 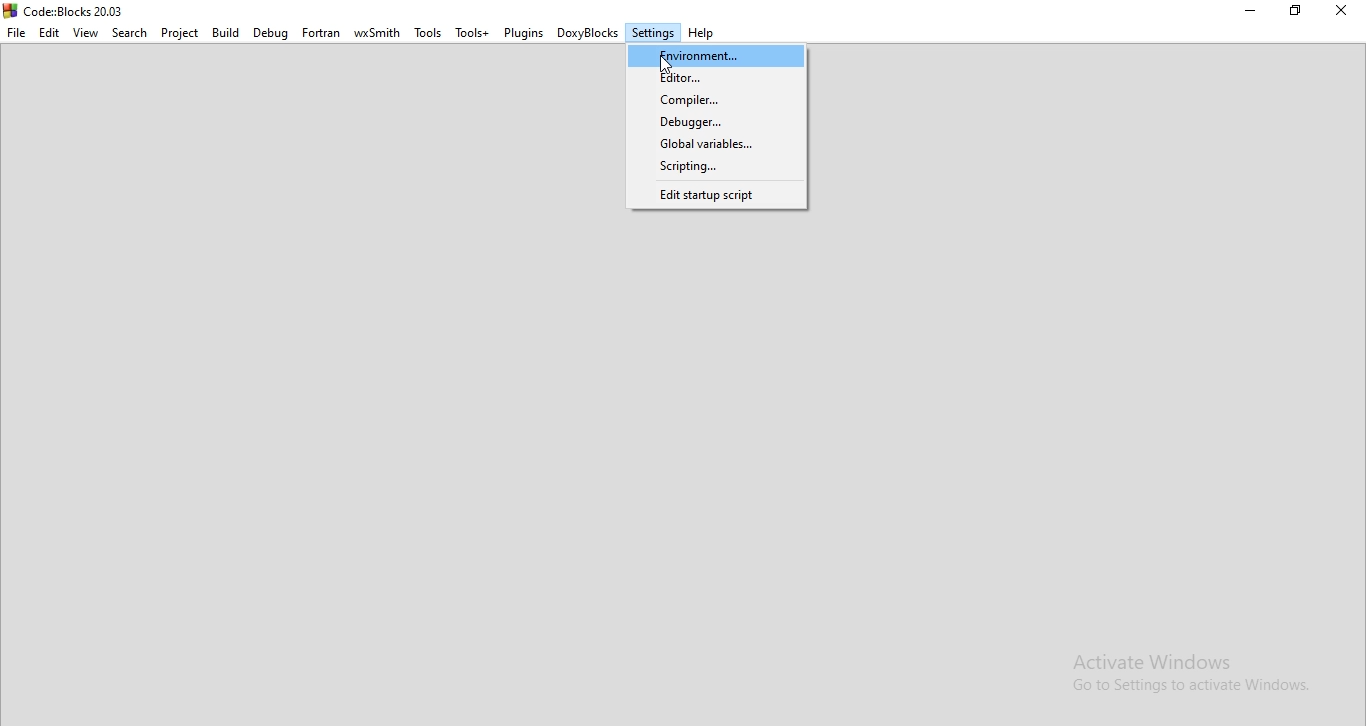 I want to click on Project, so click(x=183, y=33).